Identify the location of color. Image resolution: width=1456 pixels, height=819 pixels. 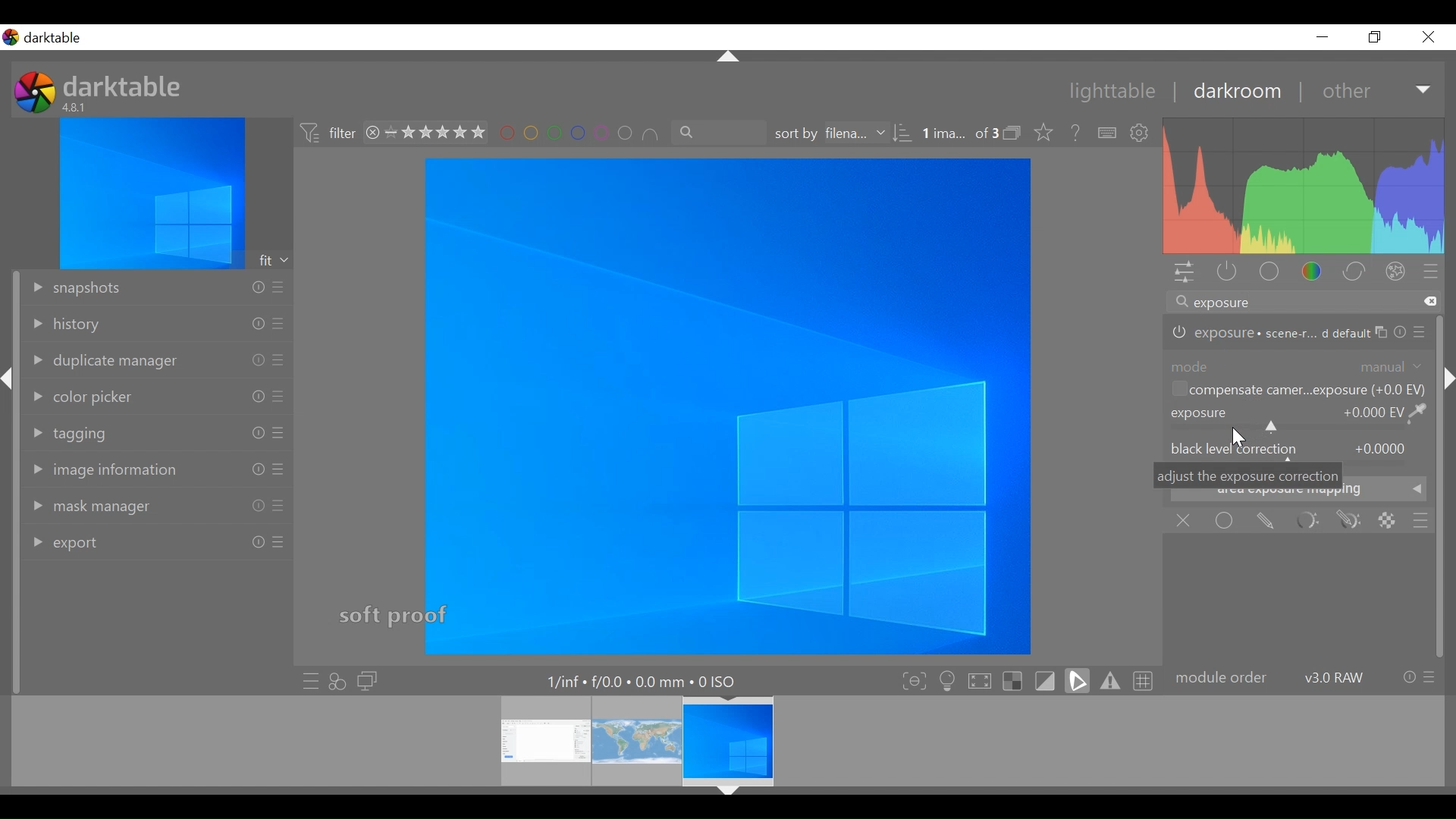
(1313, 271).